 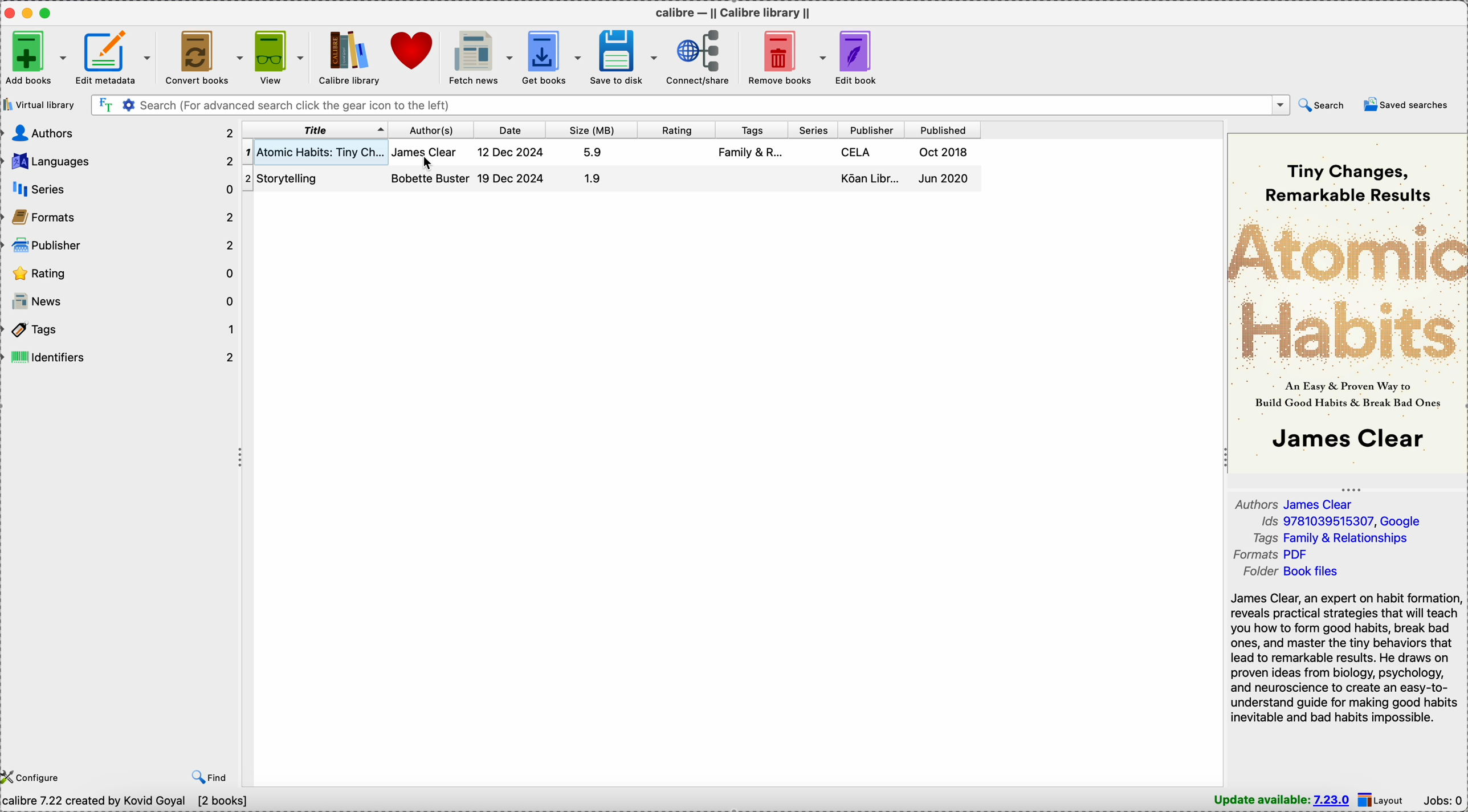 I want to click on formats, so click(x=122, y=219).